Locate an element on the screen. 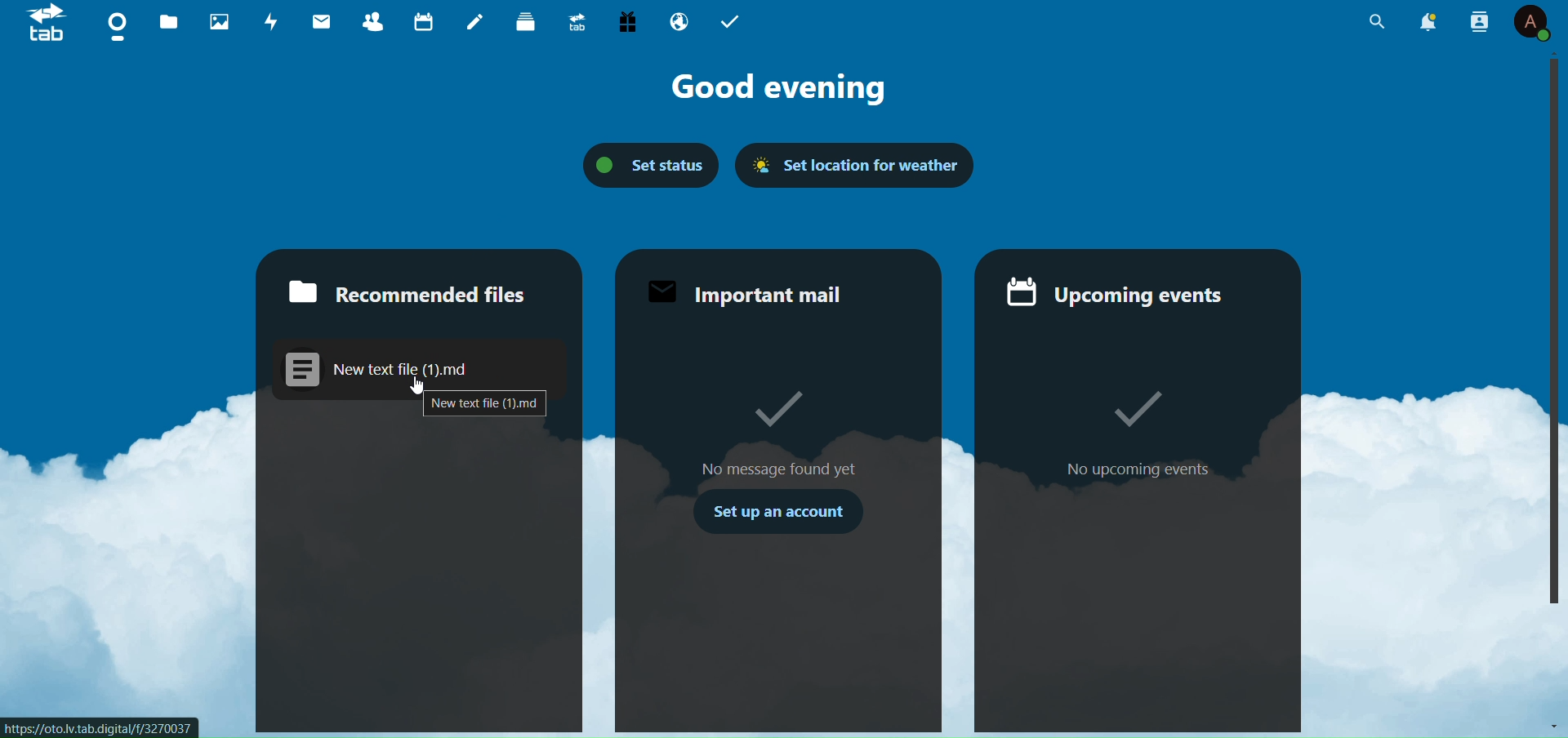  contacts is located at coordinates (374, 20).